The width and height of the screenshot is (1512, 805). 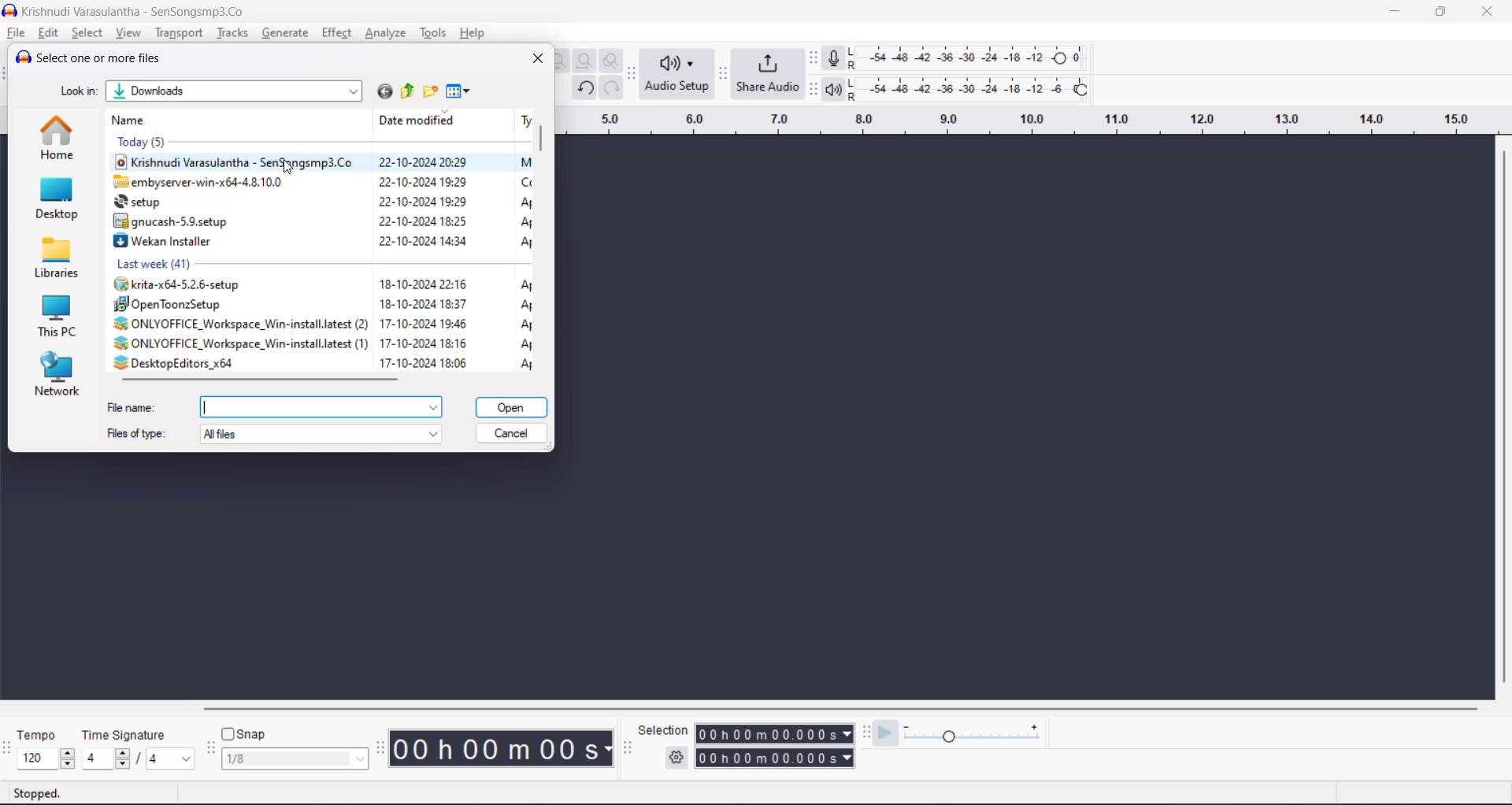 I want to click on playback meter, so click(x=841, y=89).